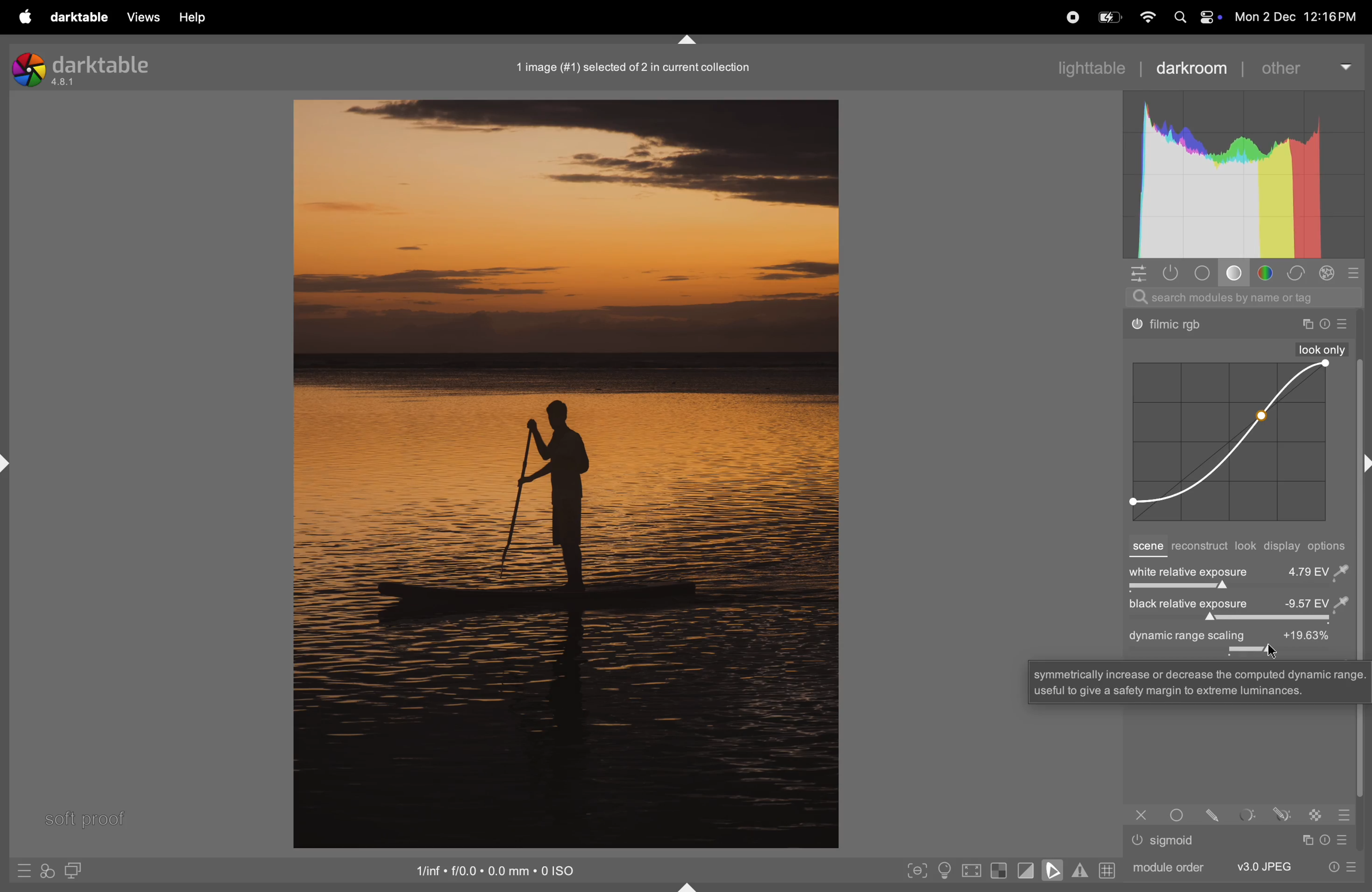  What do you see at coordinates (24, 870) in the screenshot?
I see `quick acess to presets` at bounding box center [24, 870].